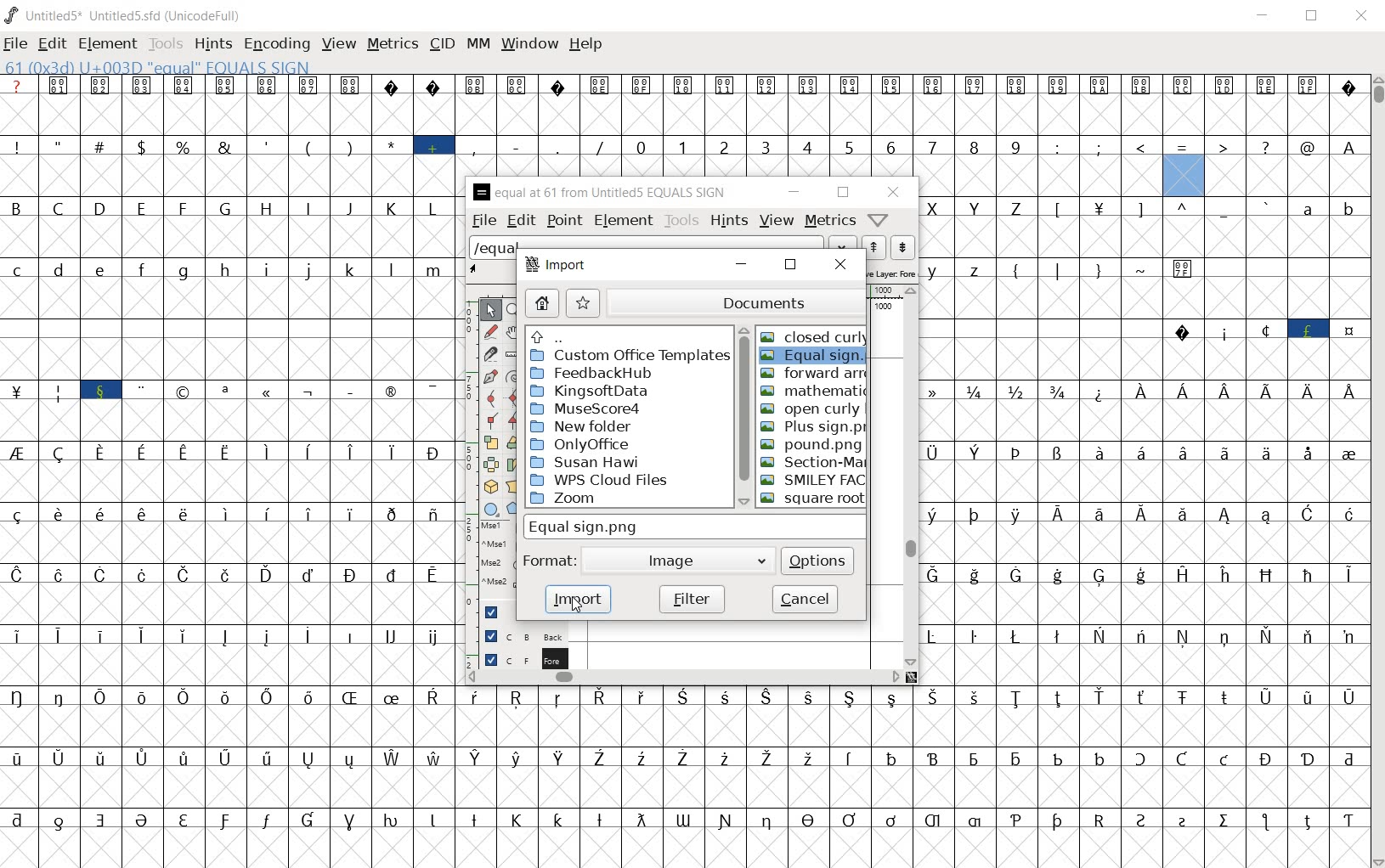  Describe the element at coordinates (489, 377) in the screenshot. I see `add a point, then drag out its control points` at that location.